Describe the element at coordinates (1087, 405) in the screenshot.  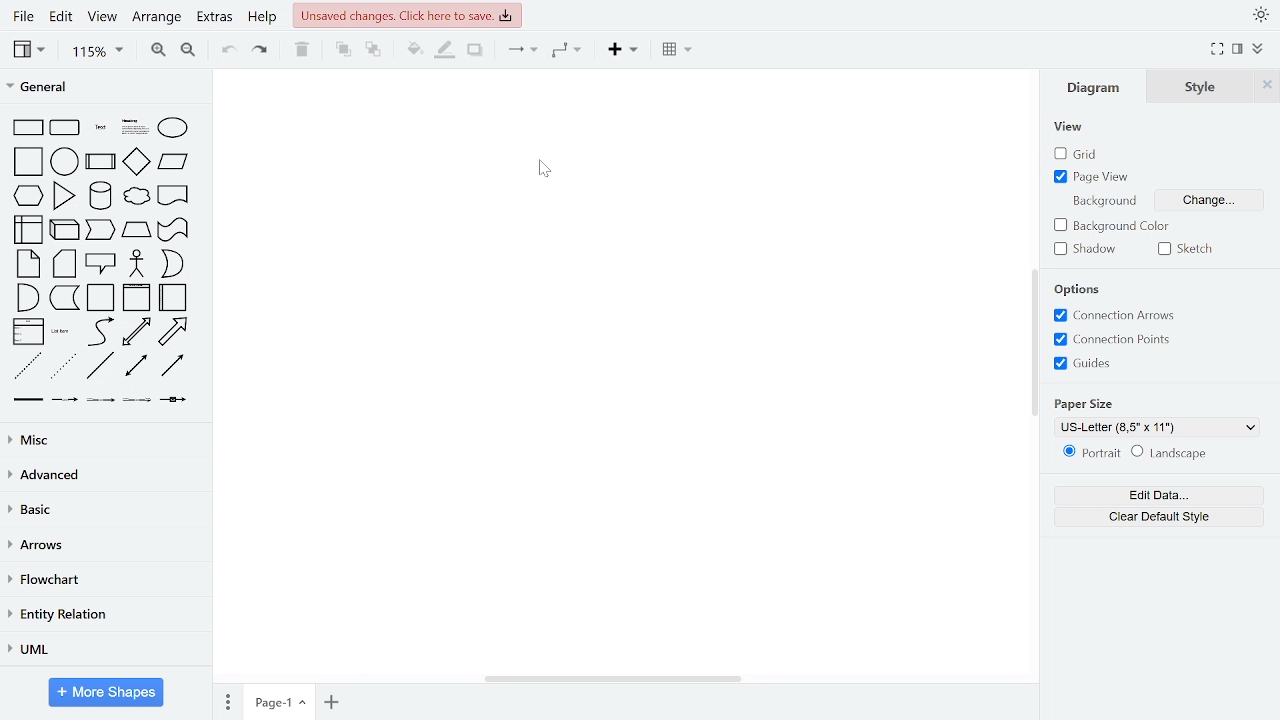
I see `paper size` at that location.